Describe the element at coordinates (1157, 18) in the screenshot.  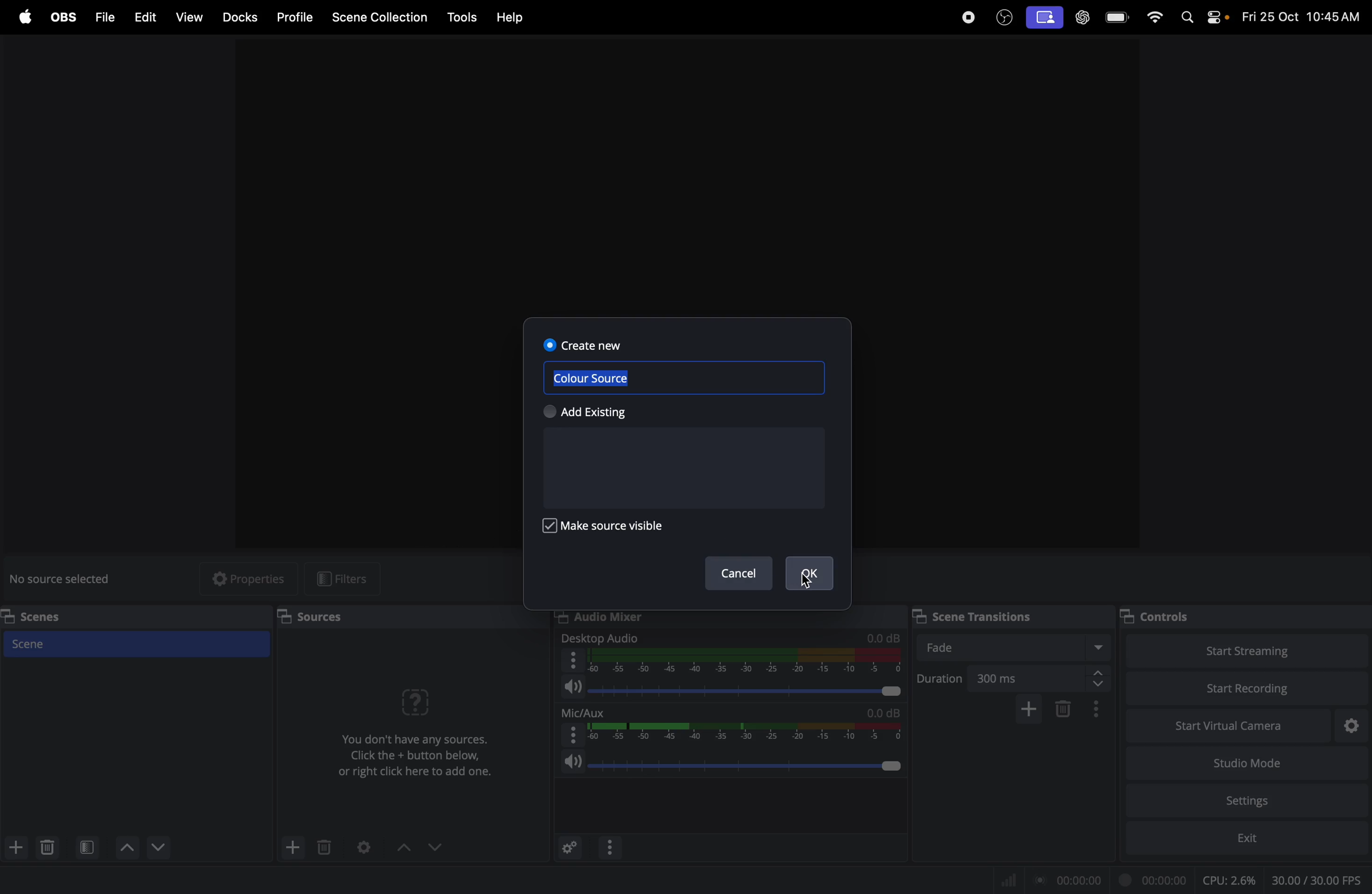
I see `wifi` at that location.